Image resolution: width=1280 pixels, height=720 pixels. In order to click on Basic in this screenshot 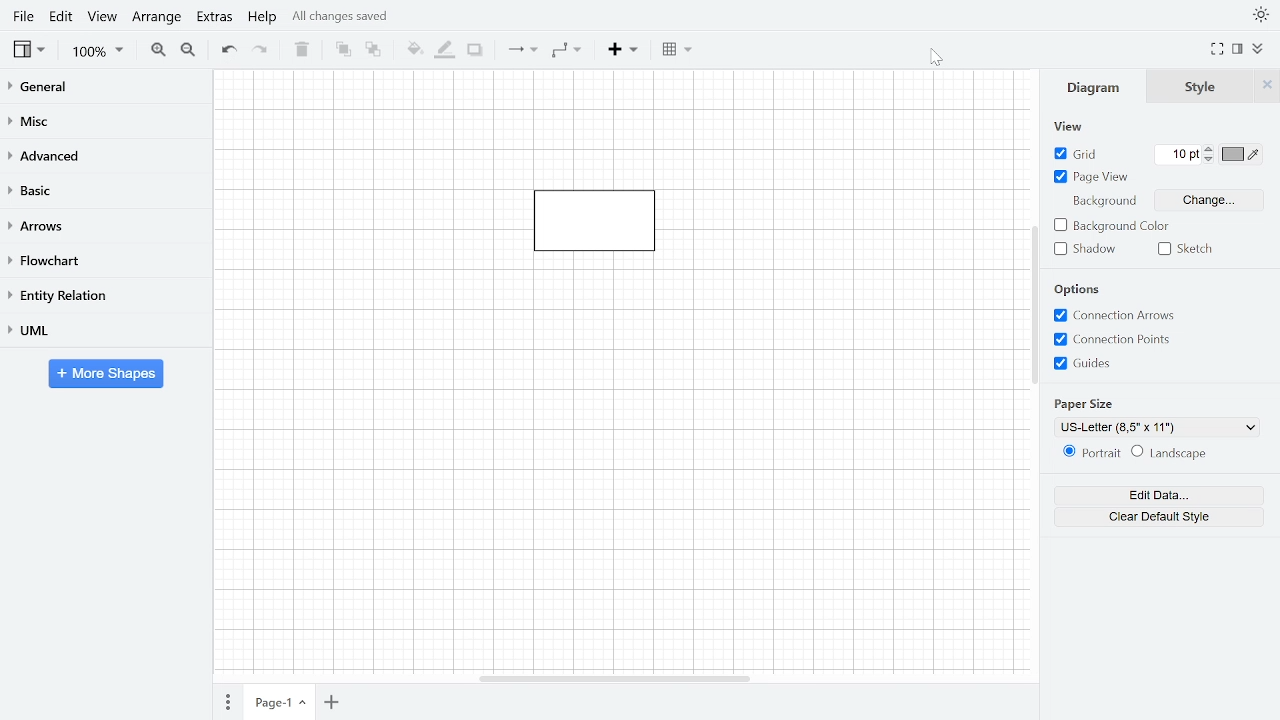, I will do `click(103, 190)`.